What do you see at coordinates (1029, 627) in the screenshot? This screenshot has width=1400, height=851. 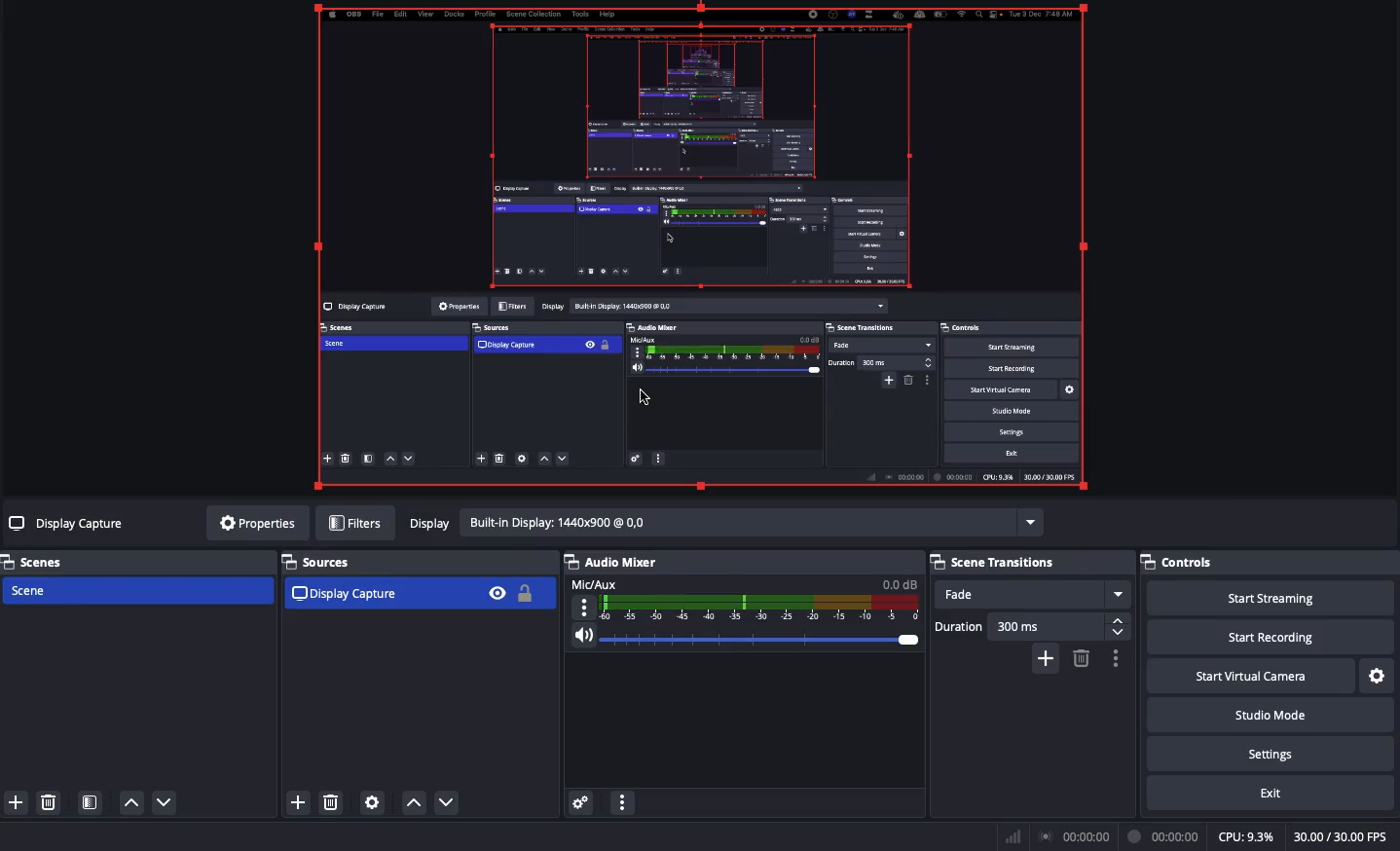 I see `Duration` at bounding box center [1029, 627].